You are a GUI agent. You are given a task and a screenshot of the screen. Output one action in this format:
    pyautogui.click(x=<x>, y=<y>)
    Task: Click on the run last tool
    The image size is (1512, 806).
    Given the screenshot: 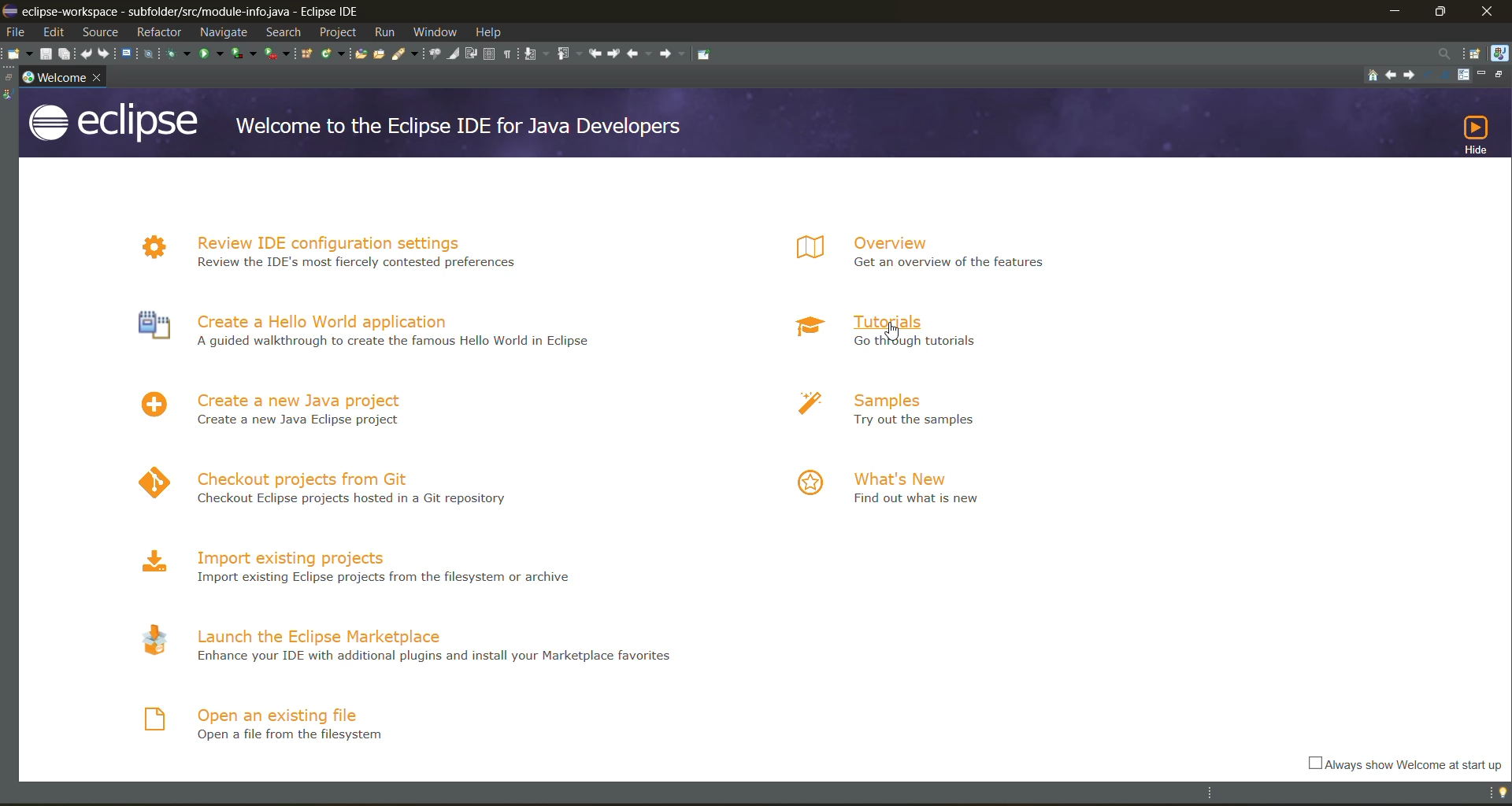 What is the action you would take?
    pyautogui.click(x=280, y=54)
    